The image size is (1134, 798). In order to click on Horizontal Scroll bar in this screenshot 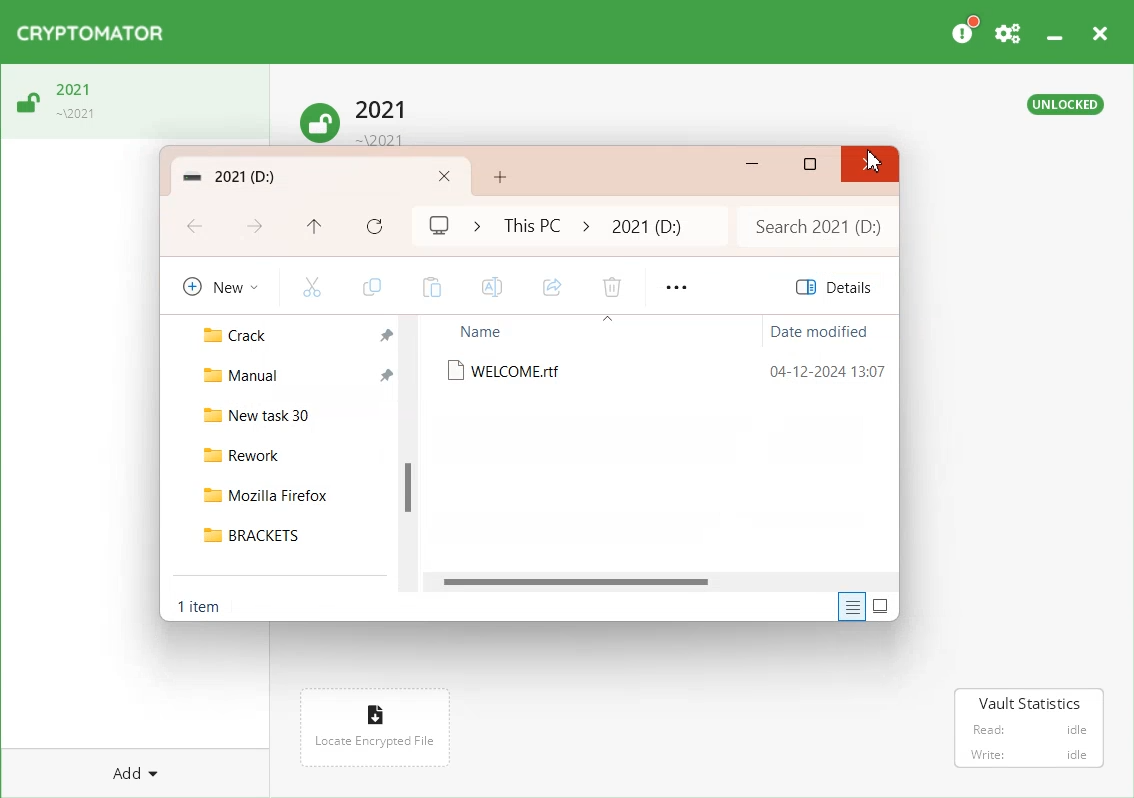, I will do `click(669, 577)`.